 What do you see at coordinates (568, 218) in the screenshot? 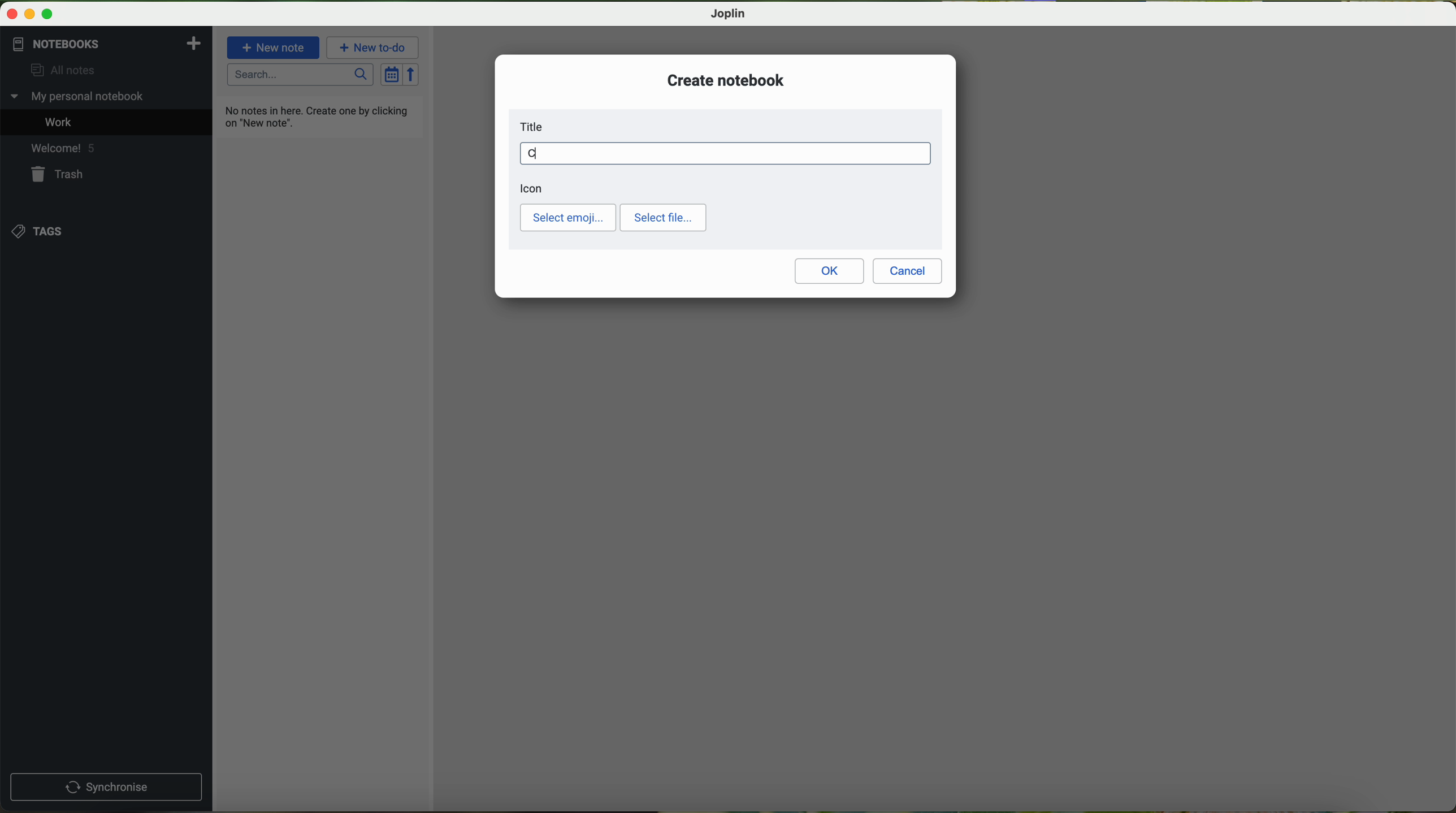
I see `select emoji` at bounding box center [568, 218].